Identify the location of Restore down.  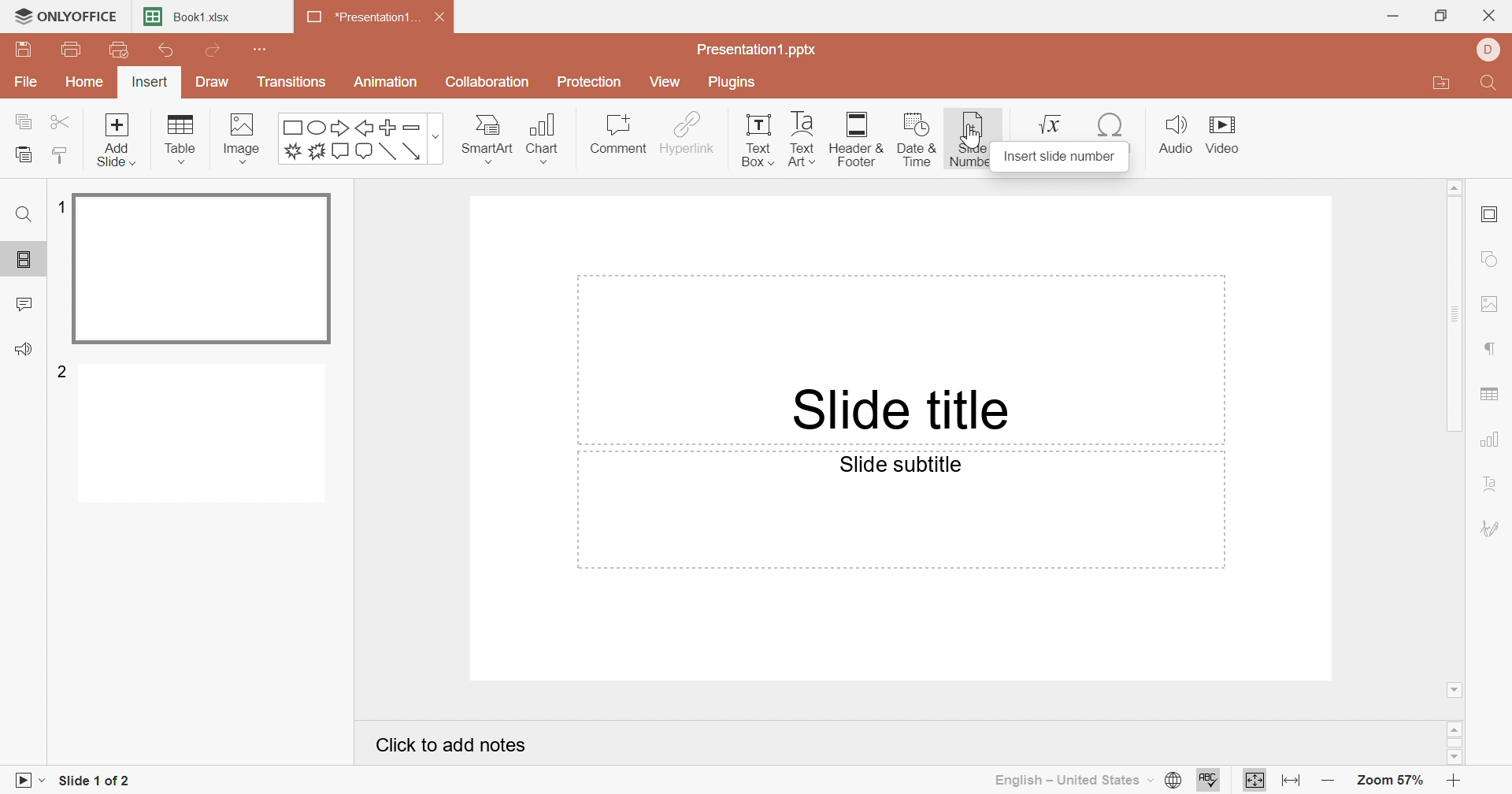
(1443, 15).